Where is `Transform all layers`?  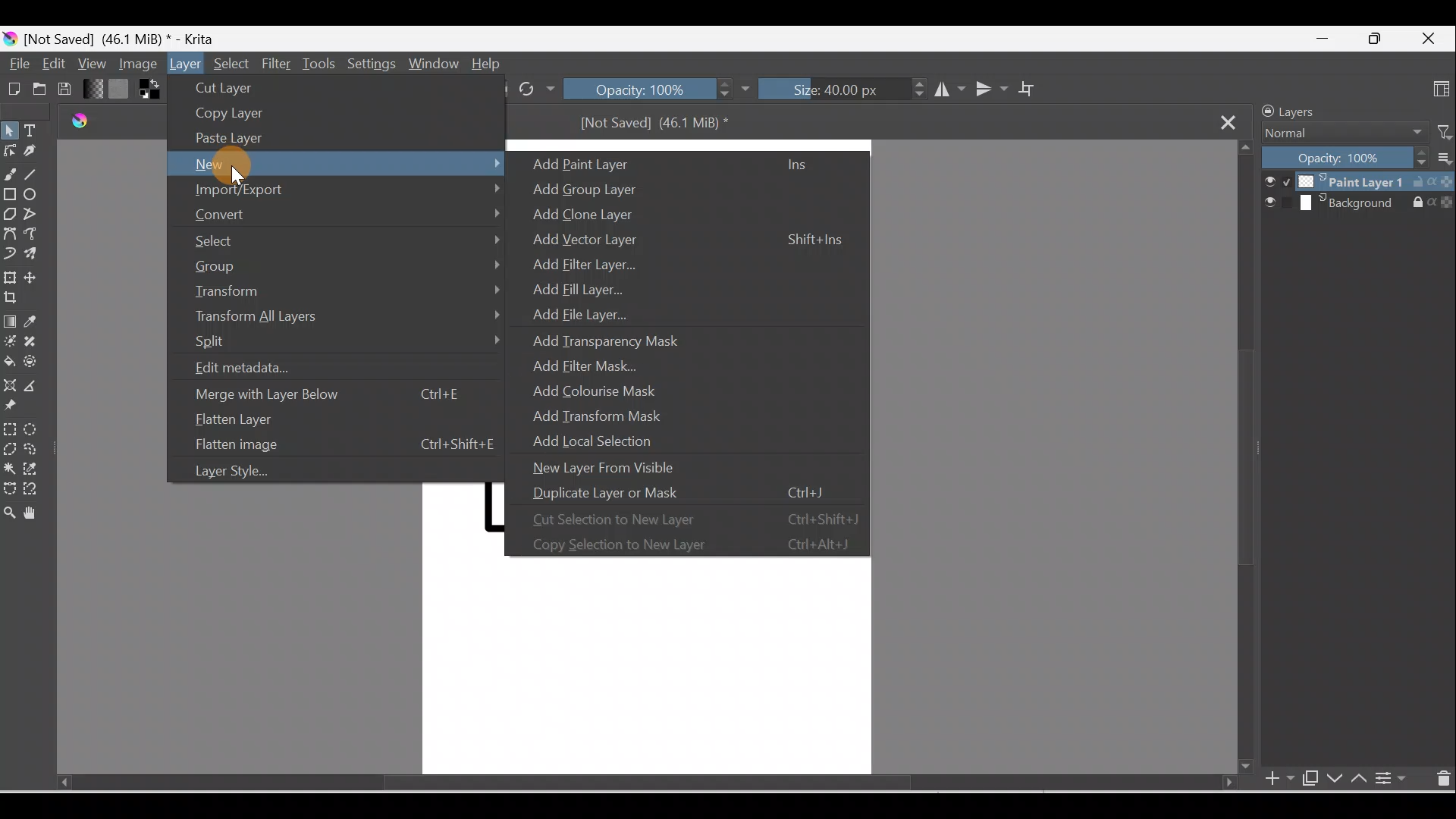 Transform all layers is located at coordinates (345, 318).